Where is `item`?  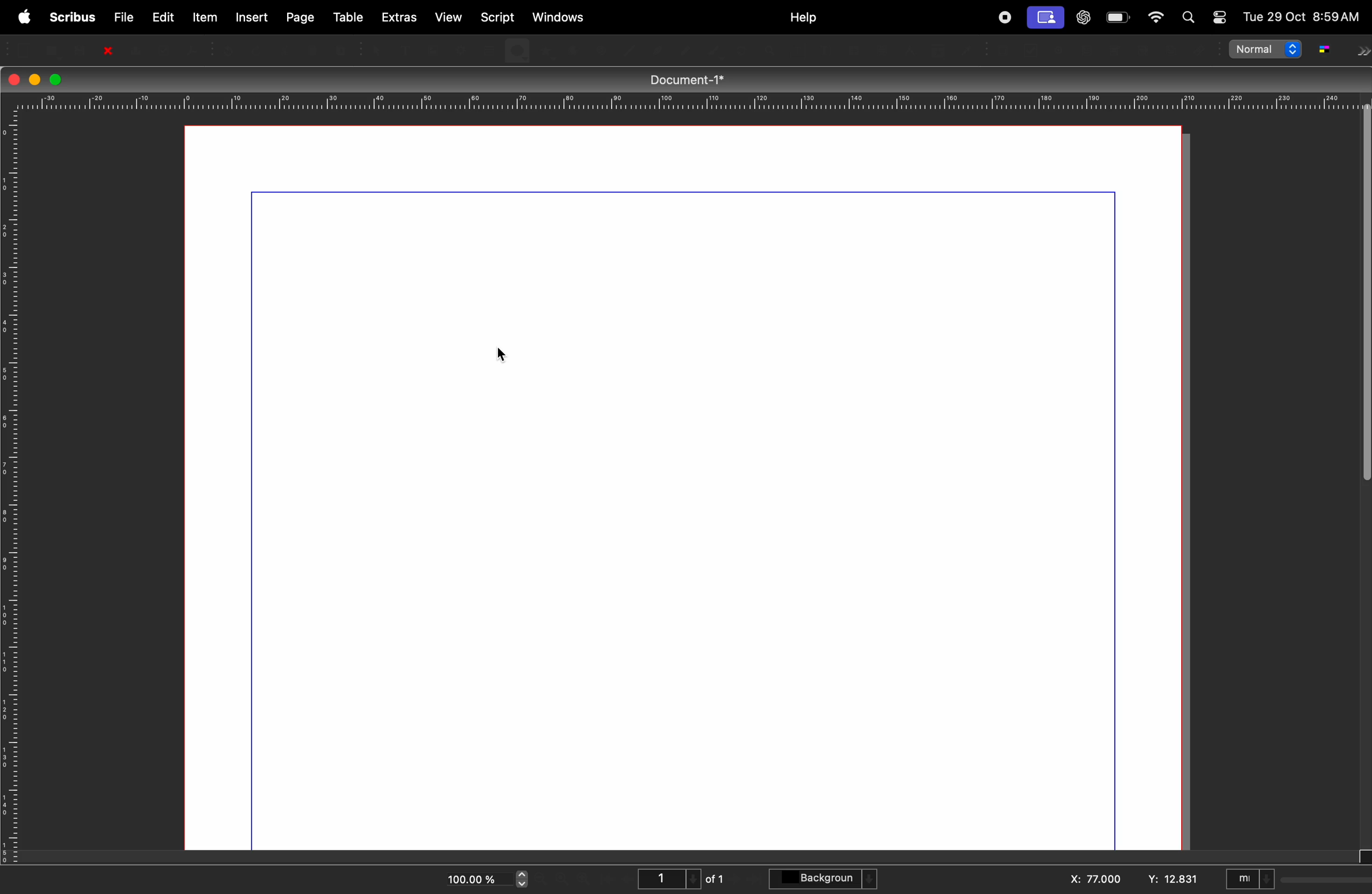
item is located at coordinates (205, 17).